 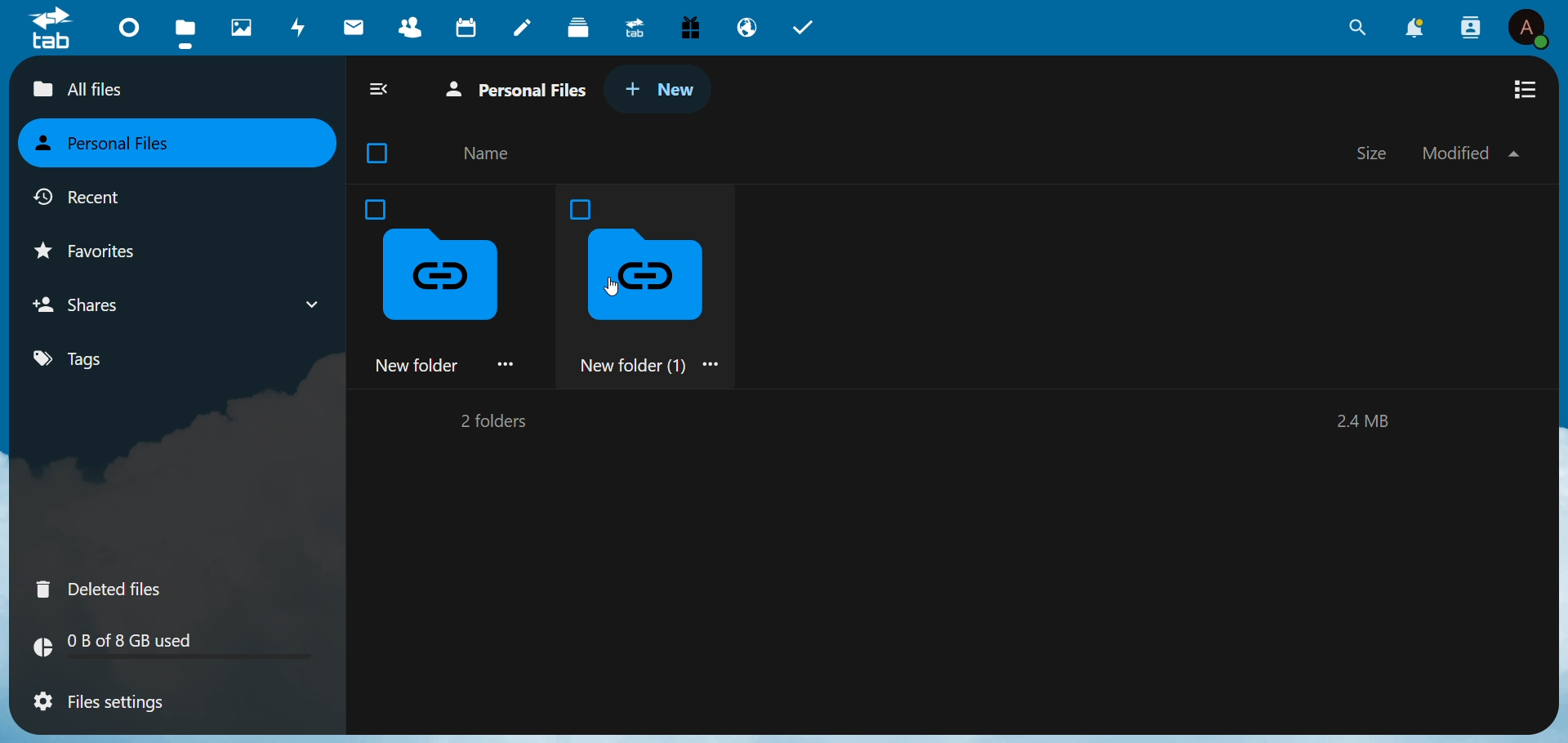 I want to click on collapse, so click(x=382, y=90).